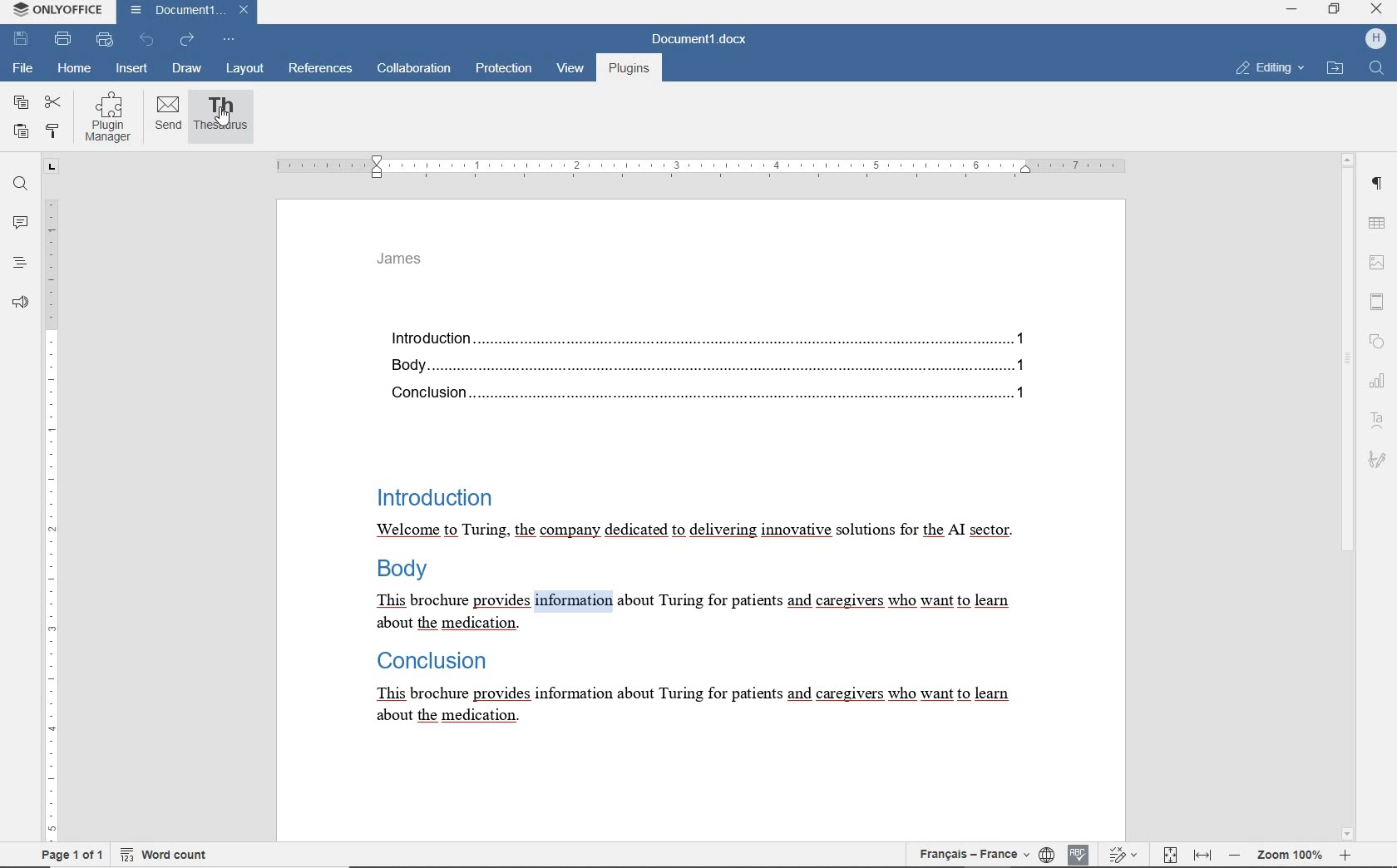 The height and width of the screenshot is (868, 1397). Describe the element at coordinates (230, 40) in the screenshot. I see `CUSTOMIZE QUICK ACCESS TOOLBAR` at that location.